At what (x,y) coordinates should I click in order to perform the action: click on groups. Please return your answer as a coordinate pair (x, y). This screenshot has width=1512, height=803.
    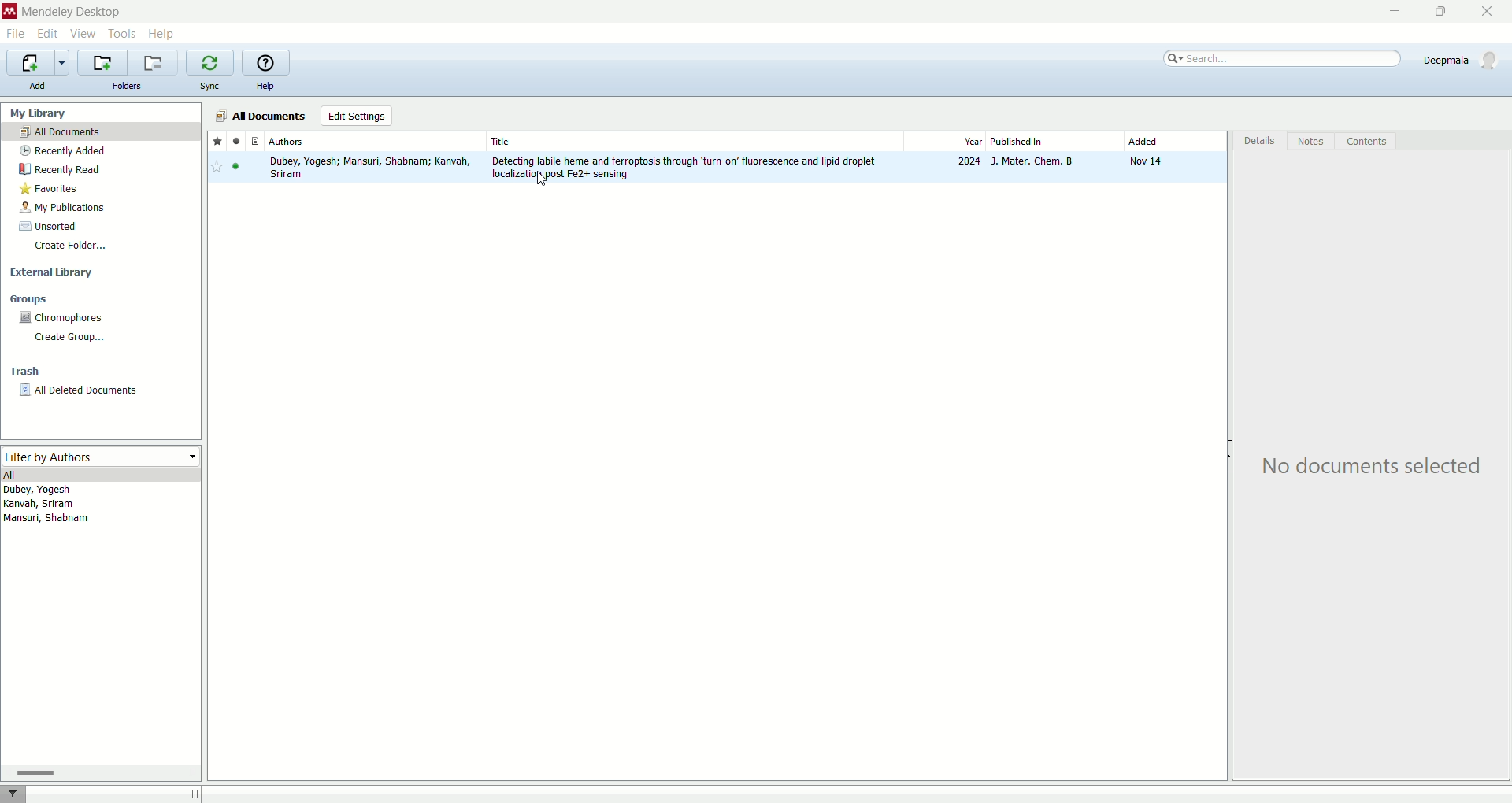
    Looking at the image, I should click on (29, 298).